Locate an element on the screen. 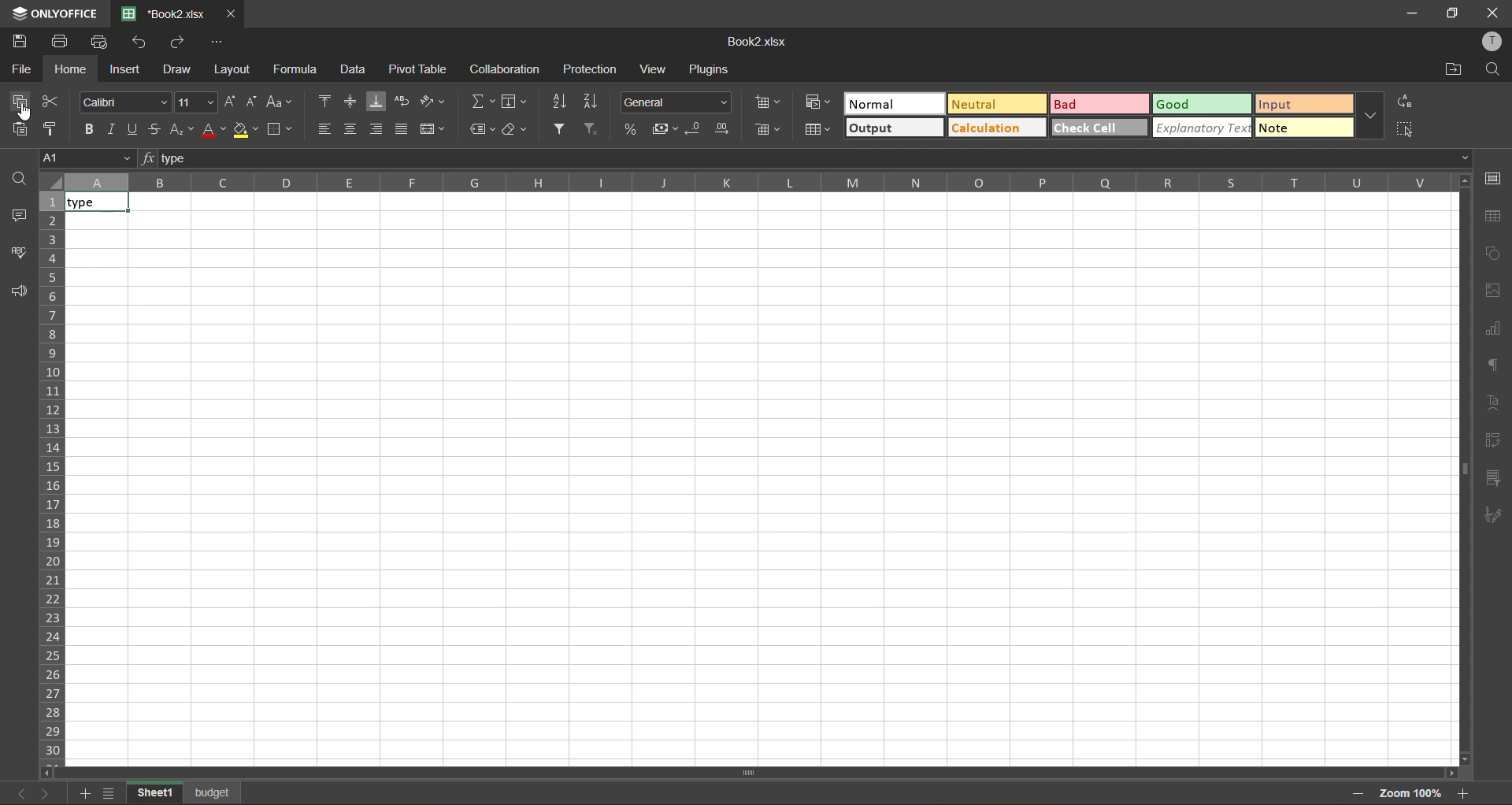  pivot table is located at coordinates (1492, 438).